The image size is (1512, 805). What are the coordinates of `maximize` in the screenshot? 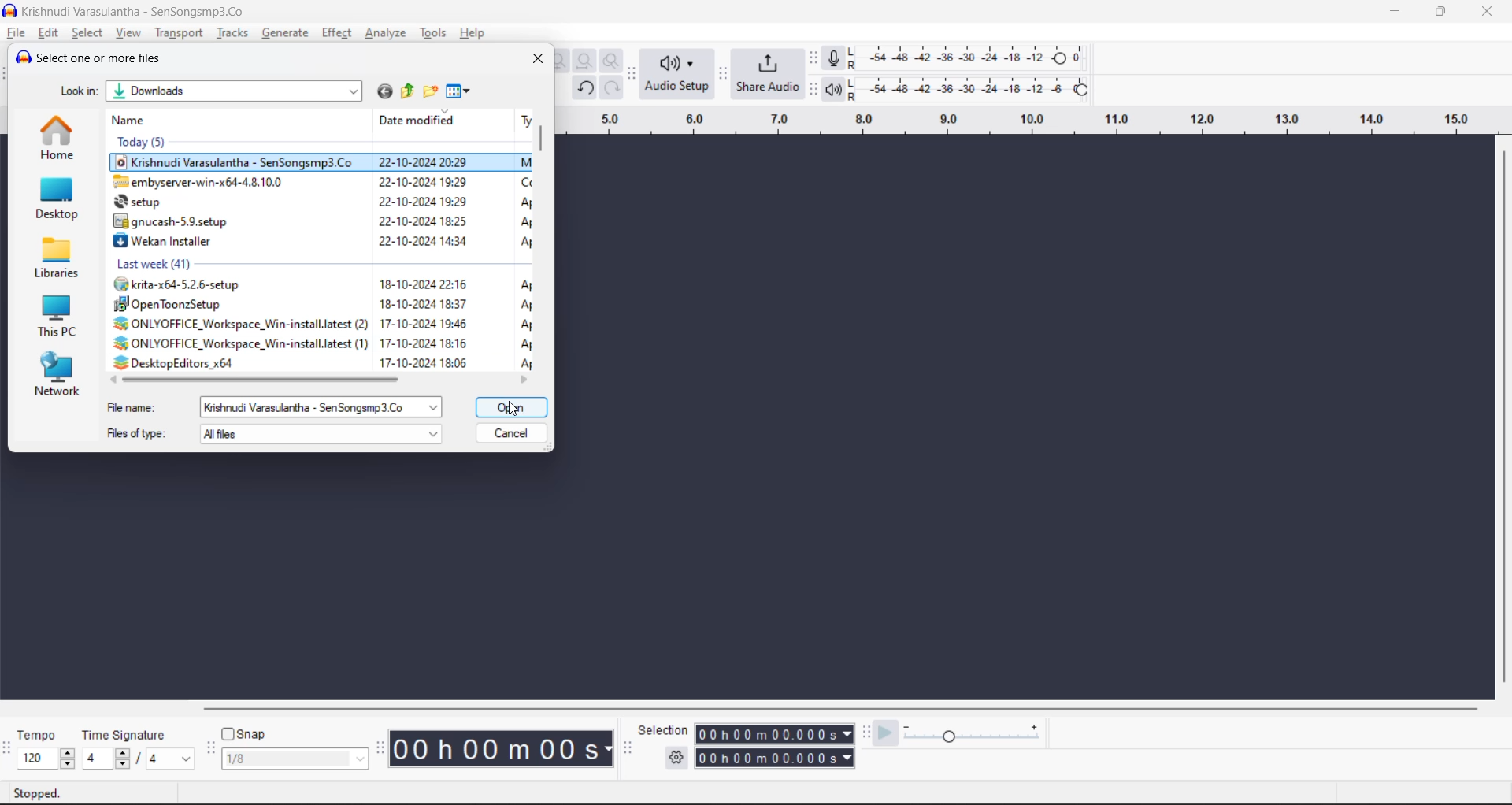 It's located at (1436, 12).